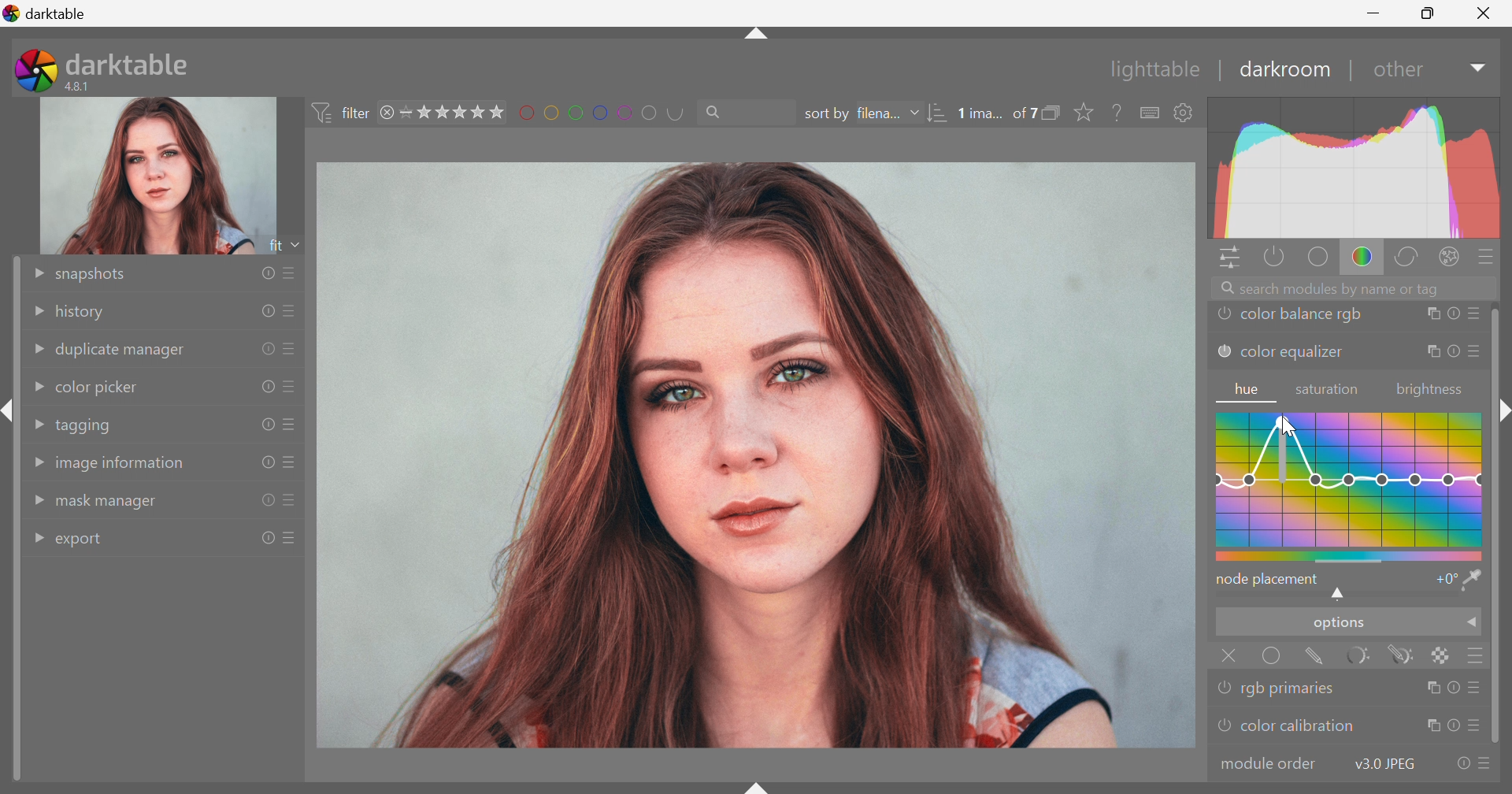  What do you see at coordinates (122, 351) in the screenshot?
I see `duplicate manager` at bounding box center [122, 351].